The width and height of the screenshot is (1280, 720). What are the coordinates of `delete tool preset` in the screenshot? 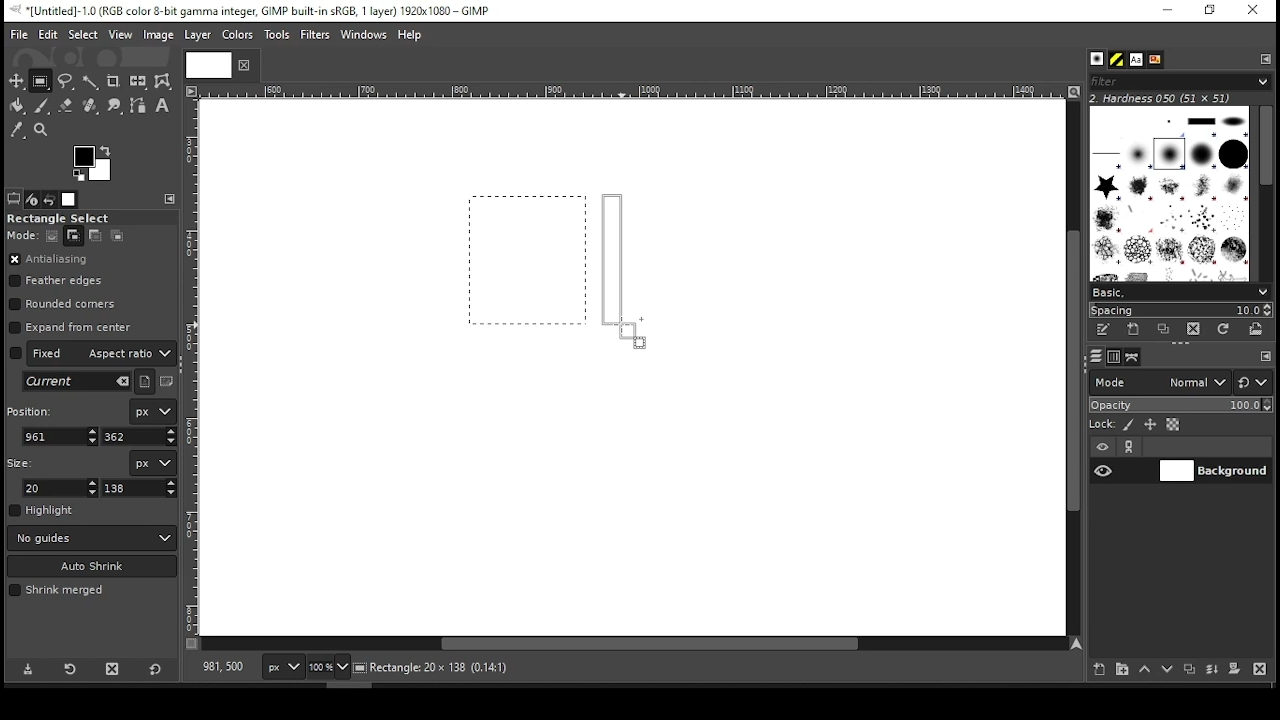 It's located at (118, 668).